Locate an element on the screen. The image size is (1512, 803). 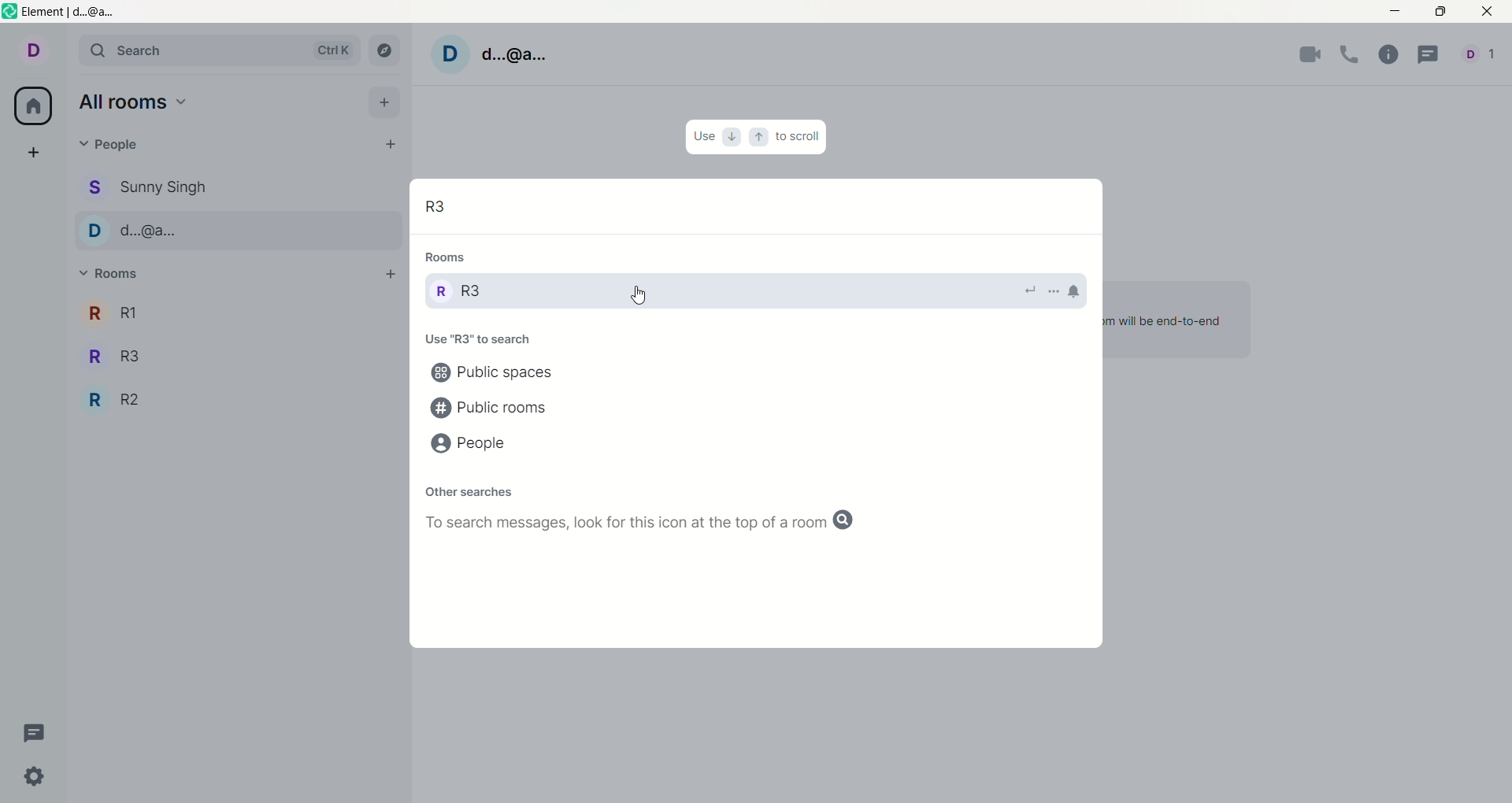
cursor is located at coordinates (639, 297).